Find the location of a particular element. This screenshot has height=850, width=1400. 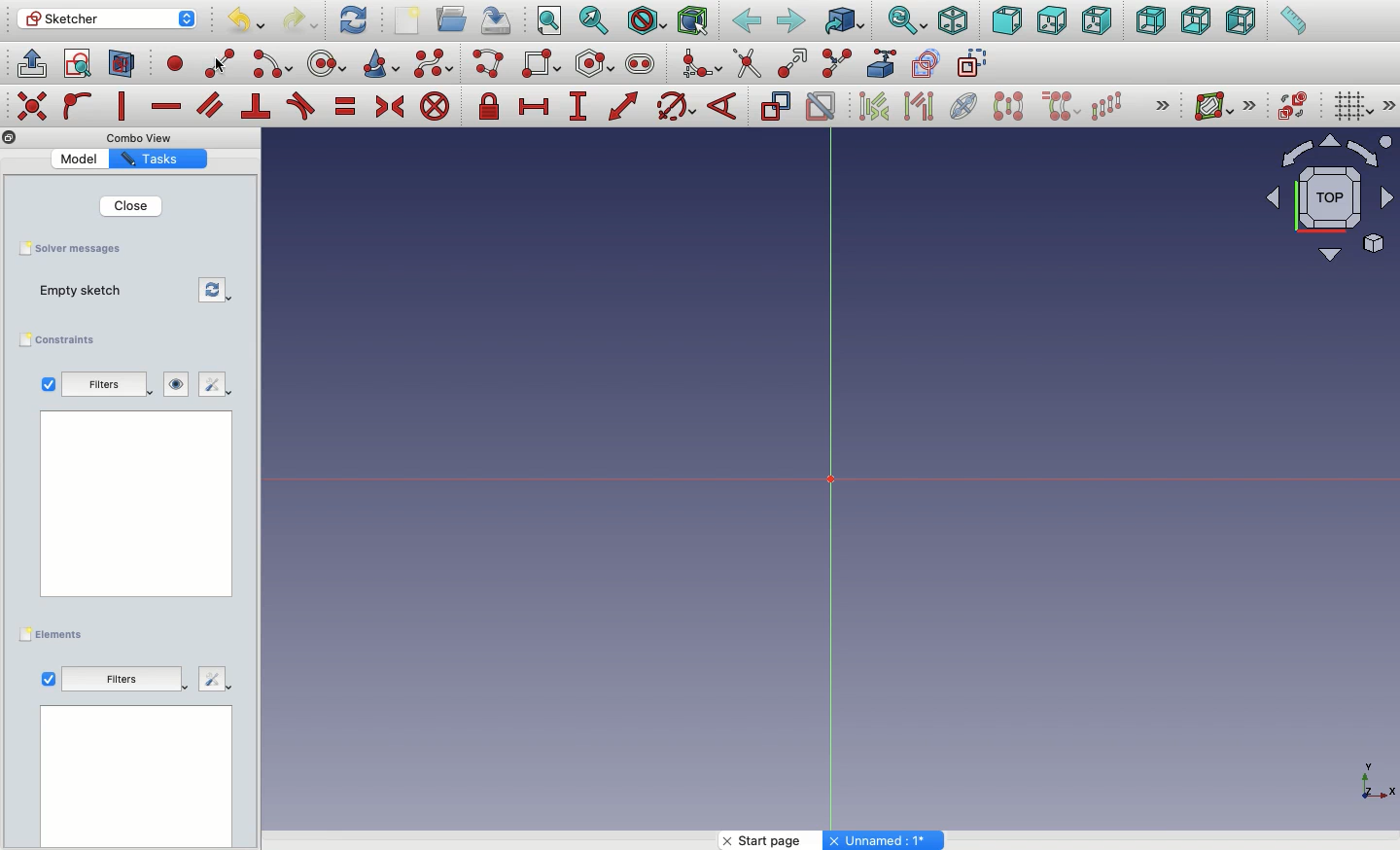

Save is located at coordinates (501, 20).